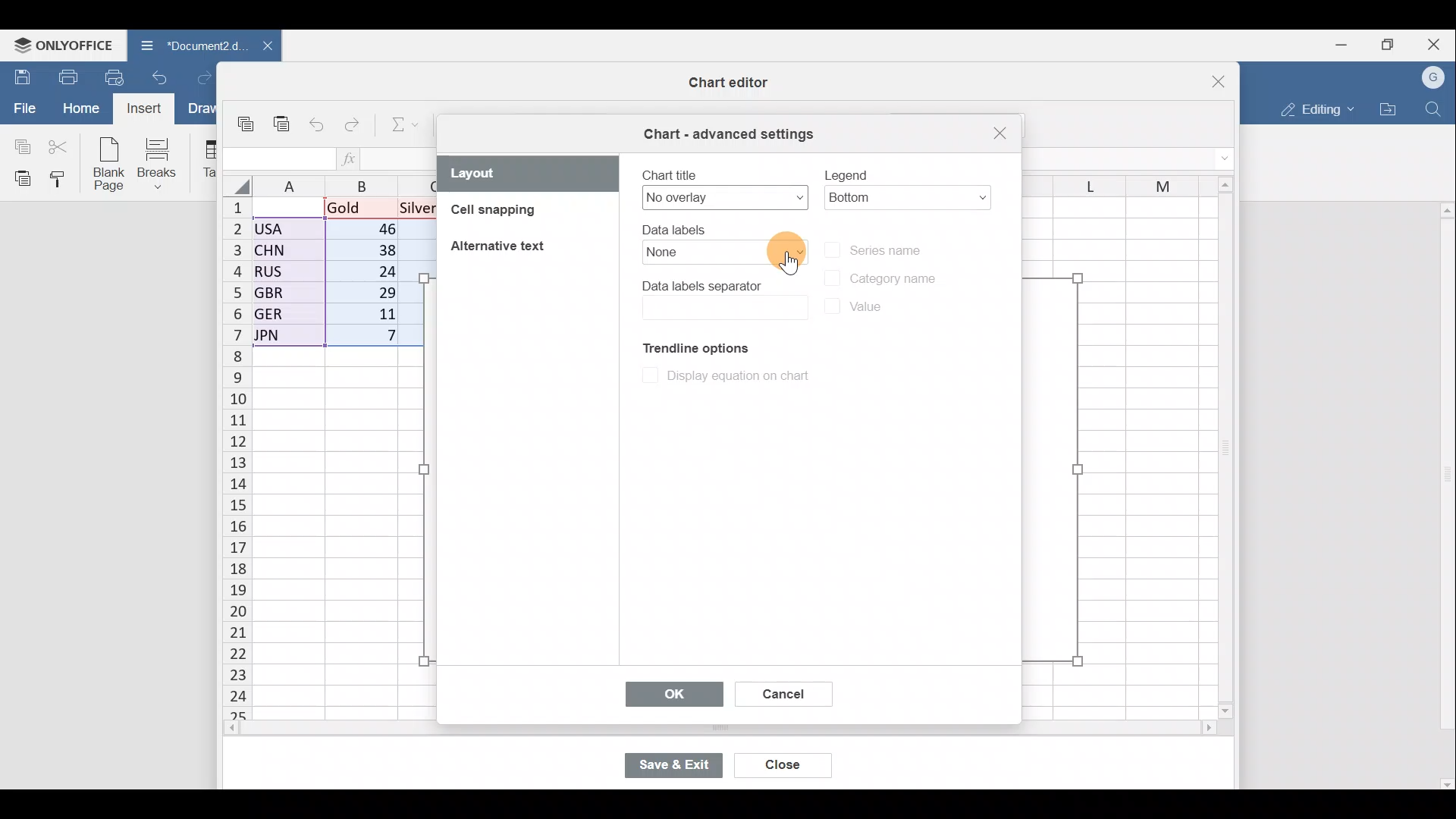 The image size is (1456, 819). I want to click on Home, so click(80, 108).